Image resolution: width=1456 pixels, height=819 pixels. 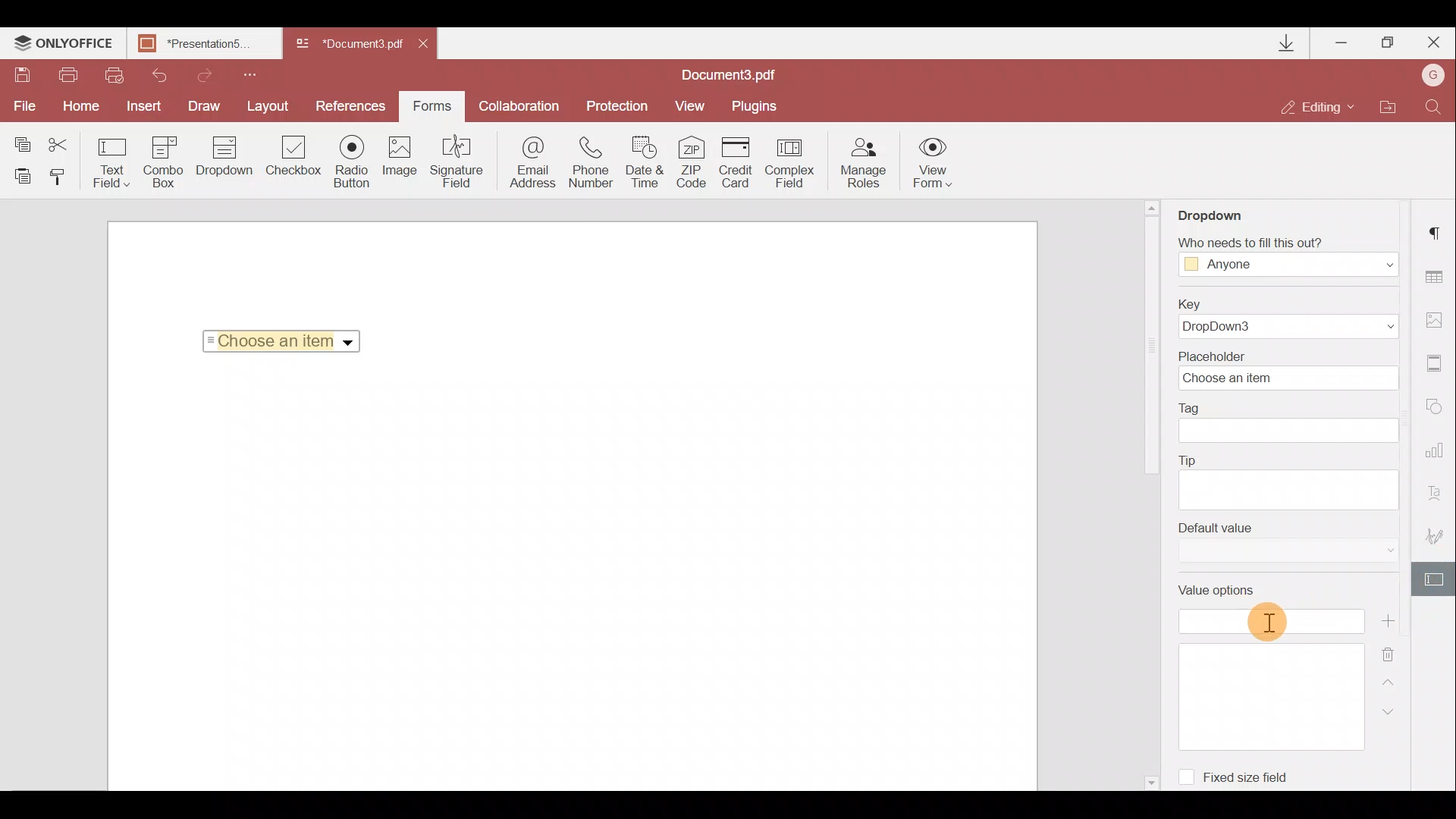 I want to click on Working area, so click(x=570, y=579).